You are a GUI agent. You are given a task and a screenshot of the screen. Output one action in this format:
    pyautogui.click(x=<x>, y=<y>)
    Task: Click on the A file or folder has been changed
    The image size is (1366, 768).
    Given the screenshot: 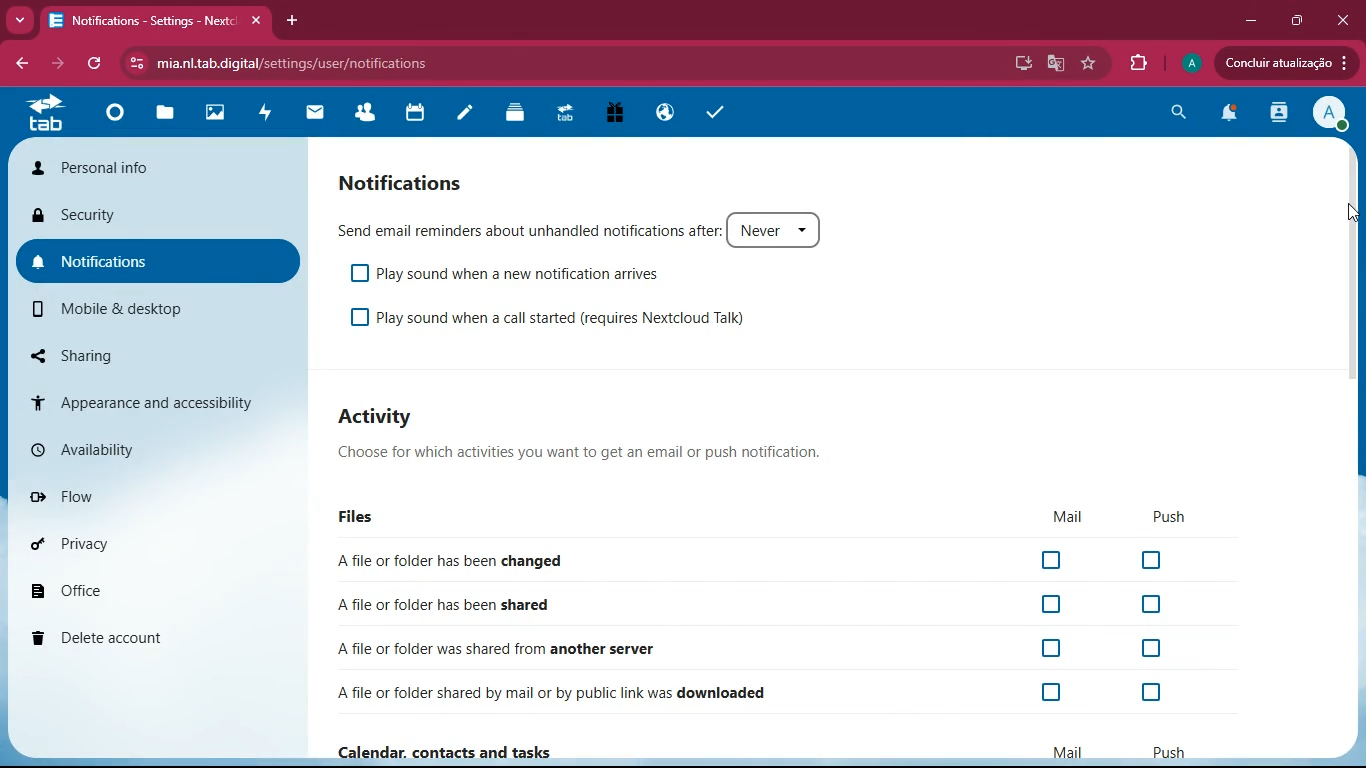 What is the action you would take?
    pyautogui.click(x=539, y=560)
    